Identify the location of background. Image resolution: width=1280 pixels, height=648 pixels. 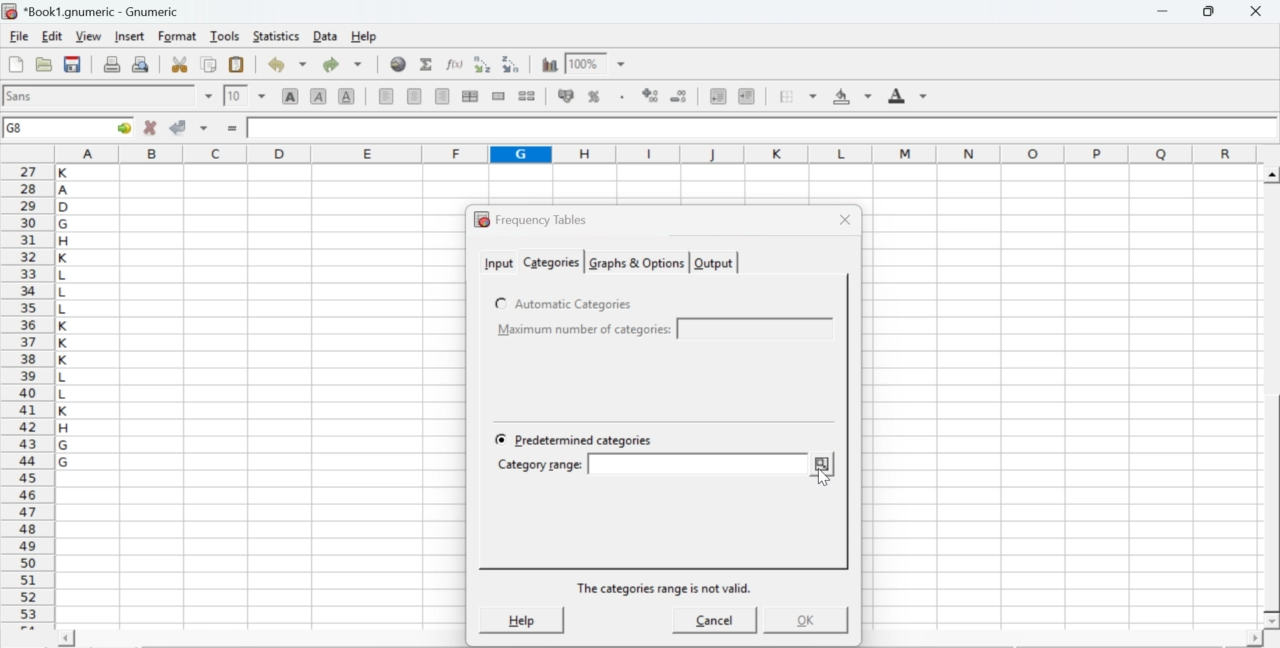
(854, 96).